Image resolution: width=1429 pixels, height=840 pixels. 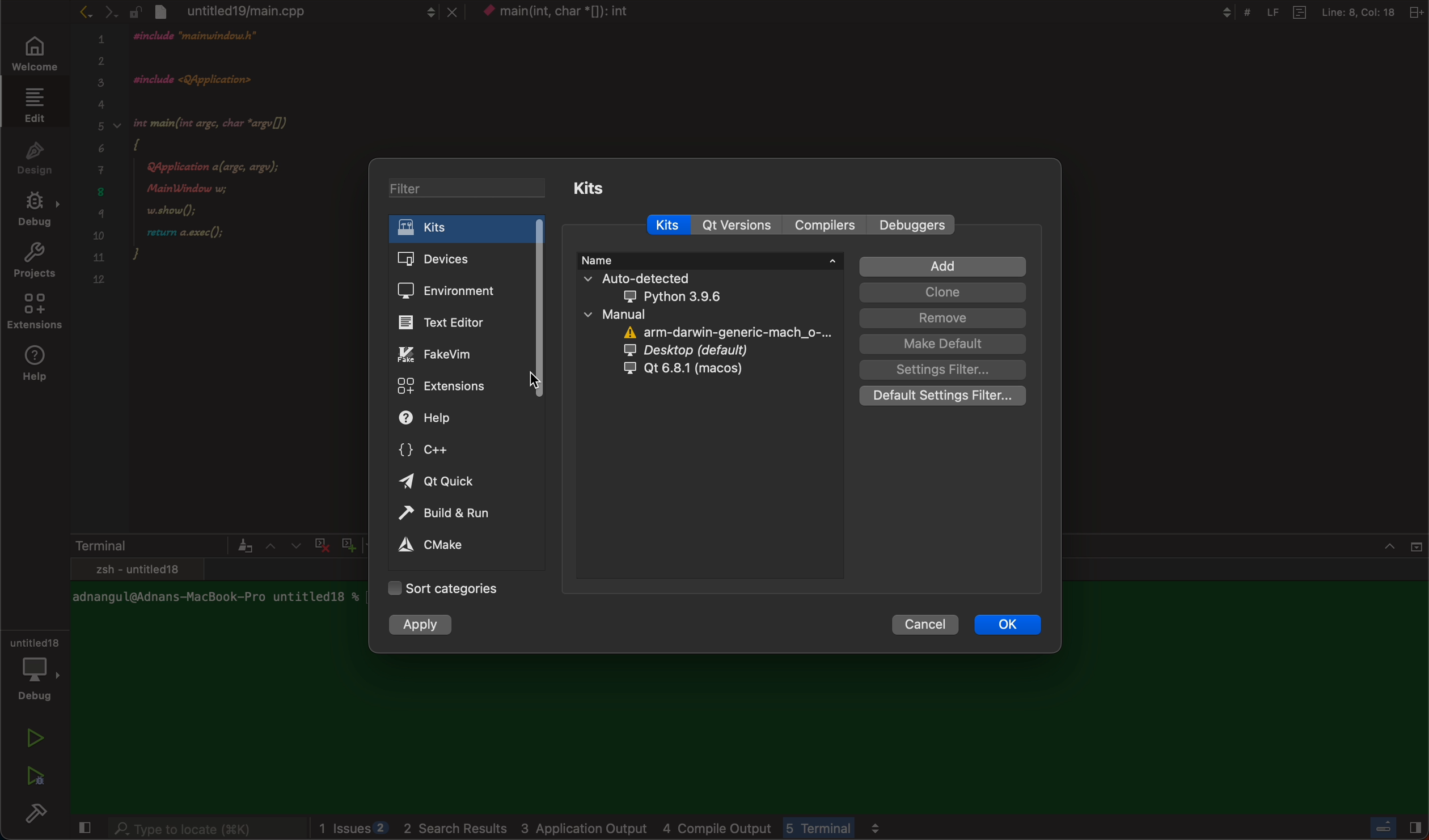 What do you see at coordinates (942, 292) in the screenshot?
I see `clone` at bounding box center [942, 292].